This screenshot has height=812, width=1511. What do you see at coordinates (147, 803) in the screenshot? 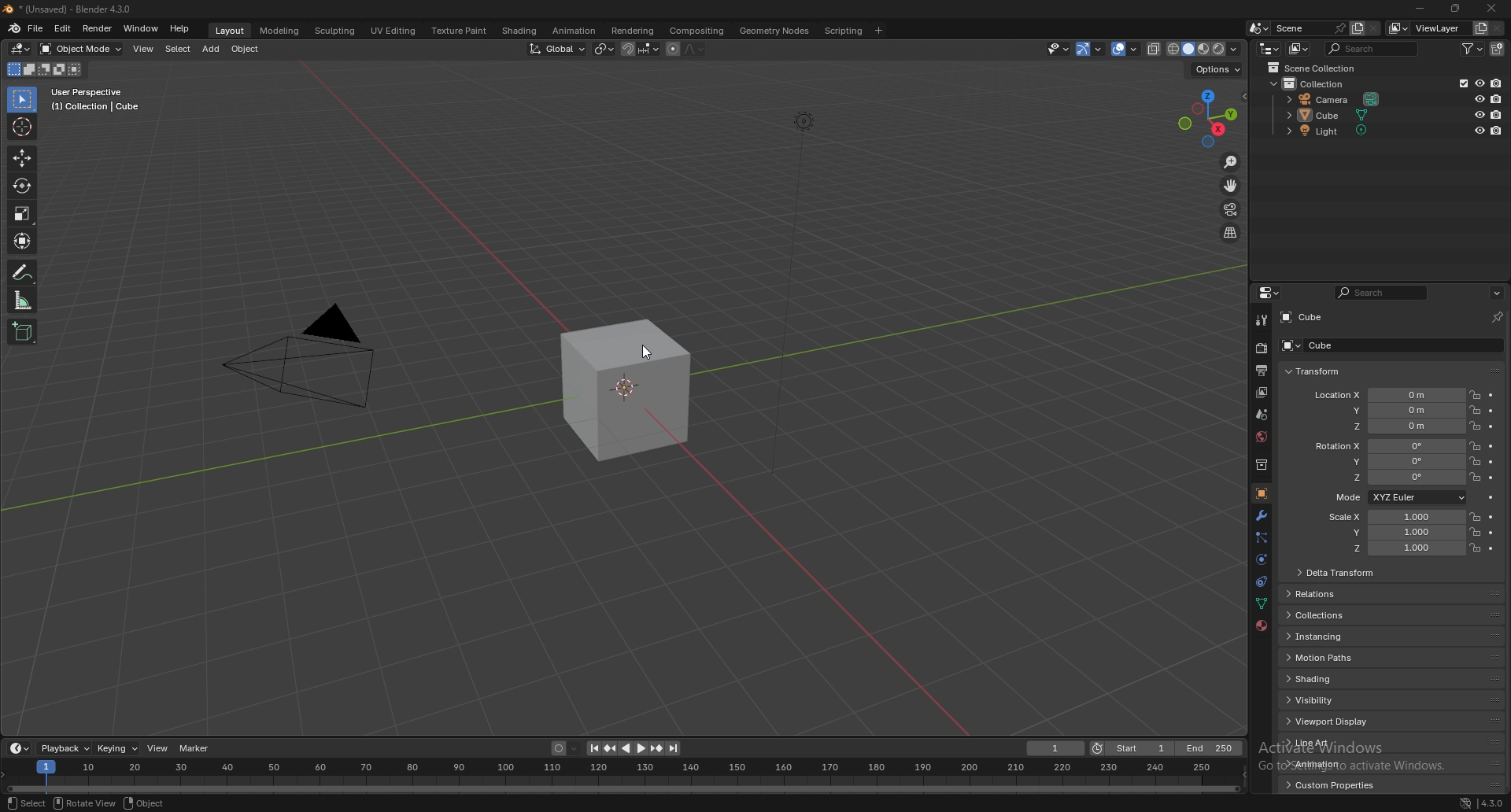
I see `object` at bounding box center [147, 803].